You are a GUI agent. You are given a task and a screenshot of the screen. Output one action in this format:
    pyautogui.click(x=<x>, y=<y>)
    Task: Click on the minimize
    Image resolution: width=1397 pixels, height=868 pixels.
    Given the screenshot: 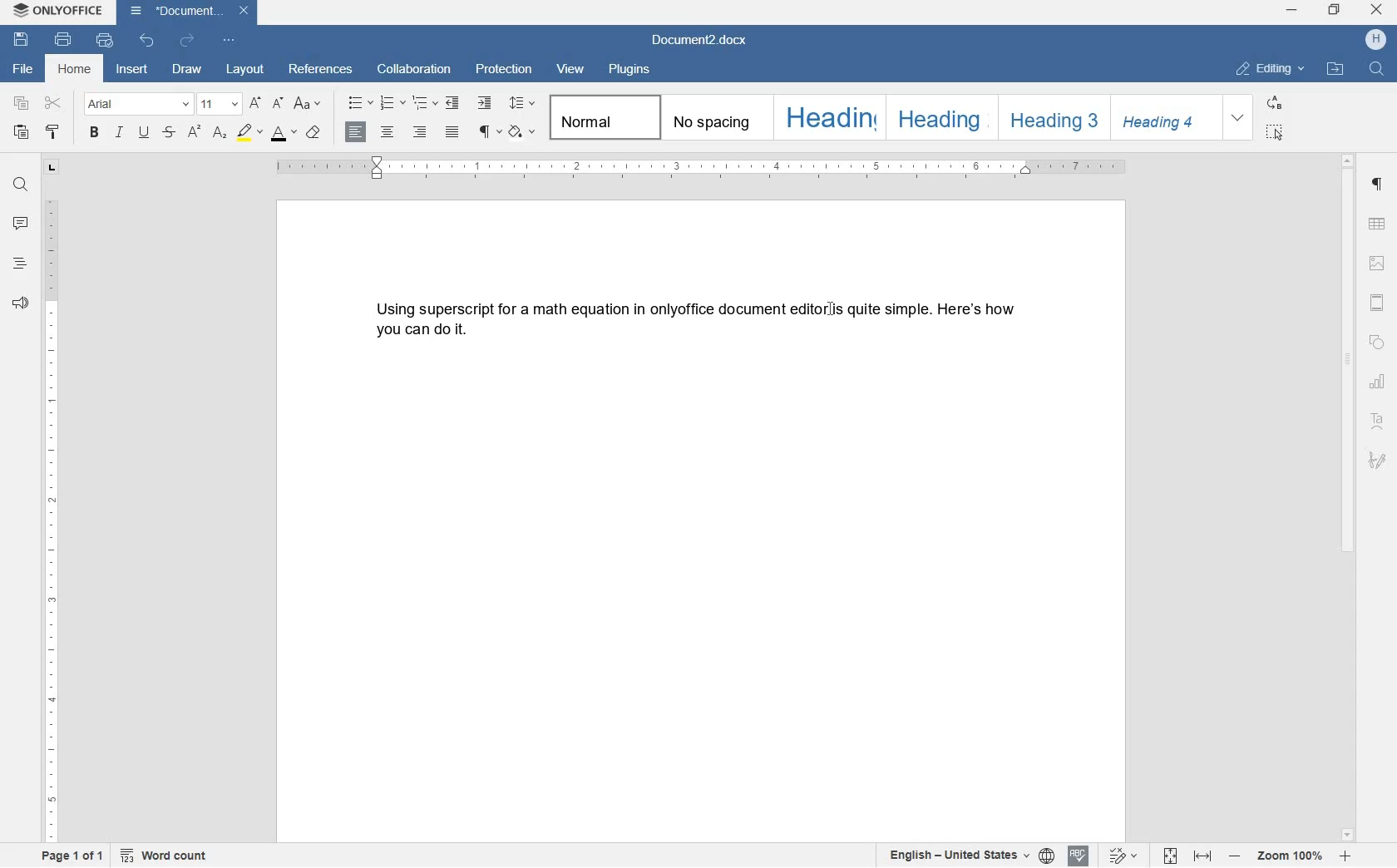 What is the action you would take?
    pyautogui.click(x=1291, y=10)
    